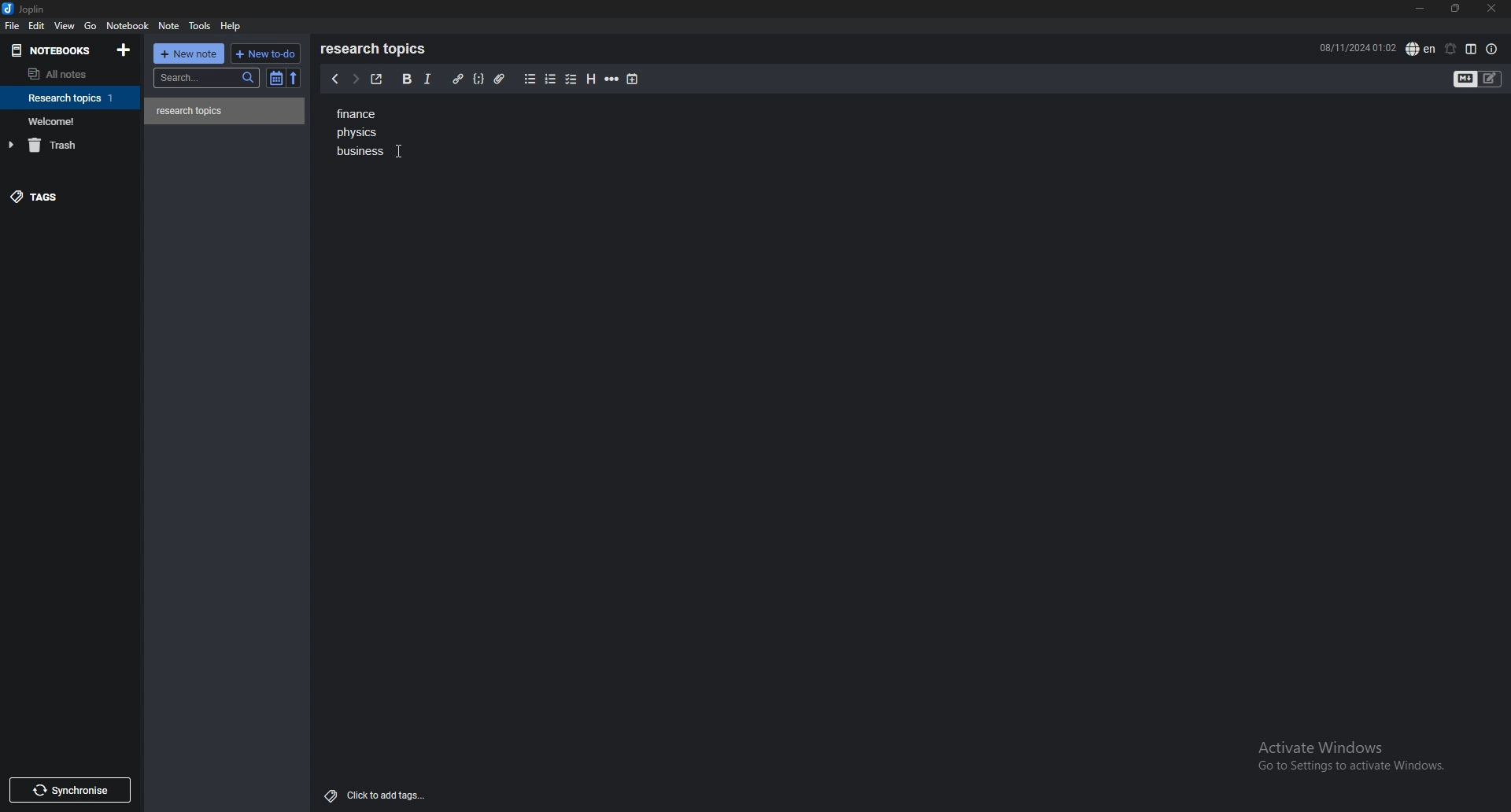 The height and width of the screenshot is (812, 1511). What do you see at coordinates (499, 78) in the screenshot?
I see `attachment` at bounding box center [499, 78].